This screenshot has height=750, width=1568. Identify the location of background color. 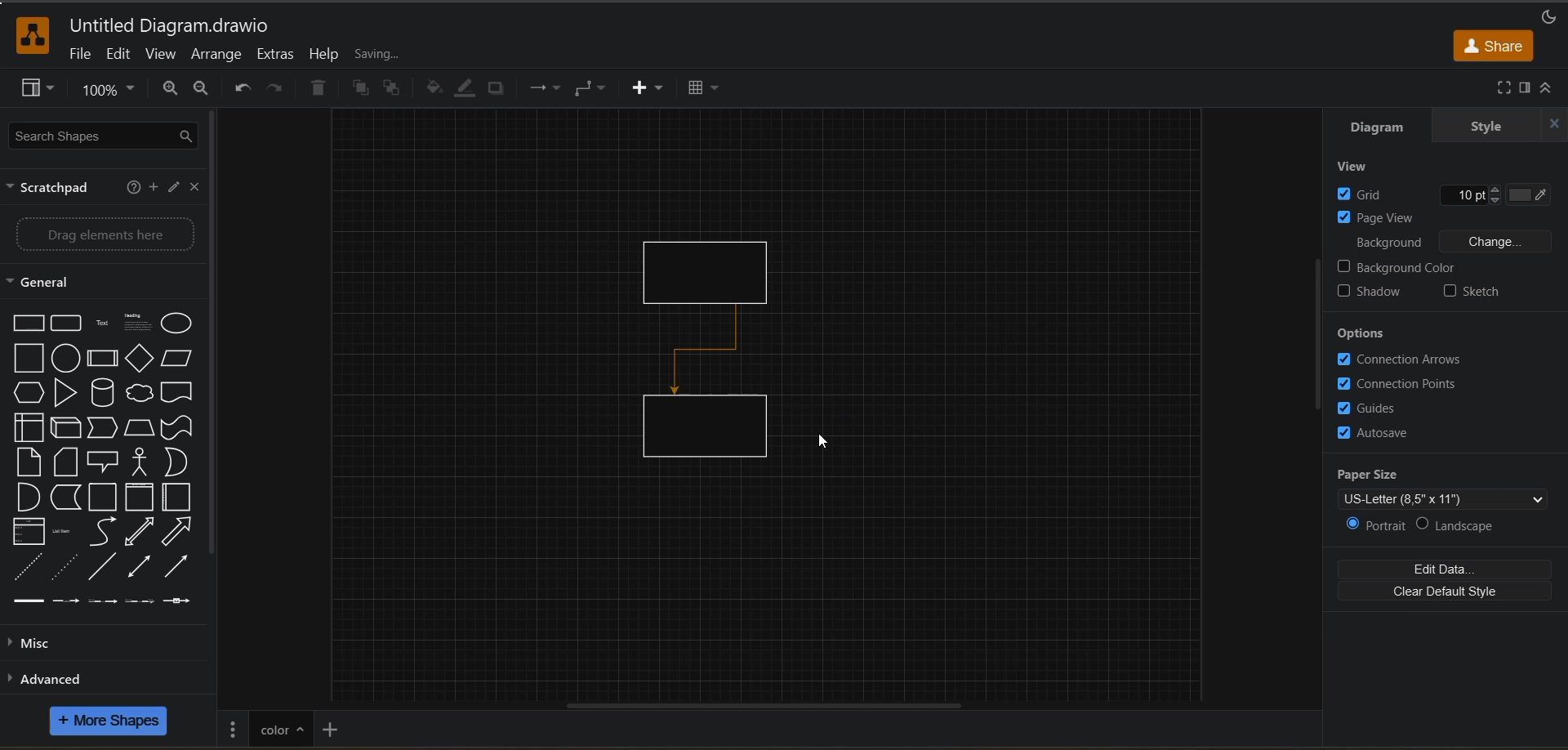
(1398, 267).